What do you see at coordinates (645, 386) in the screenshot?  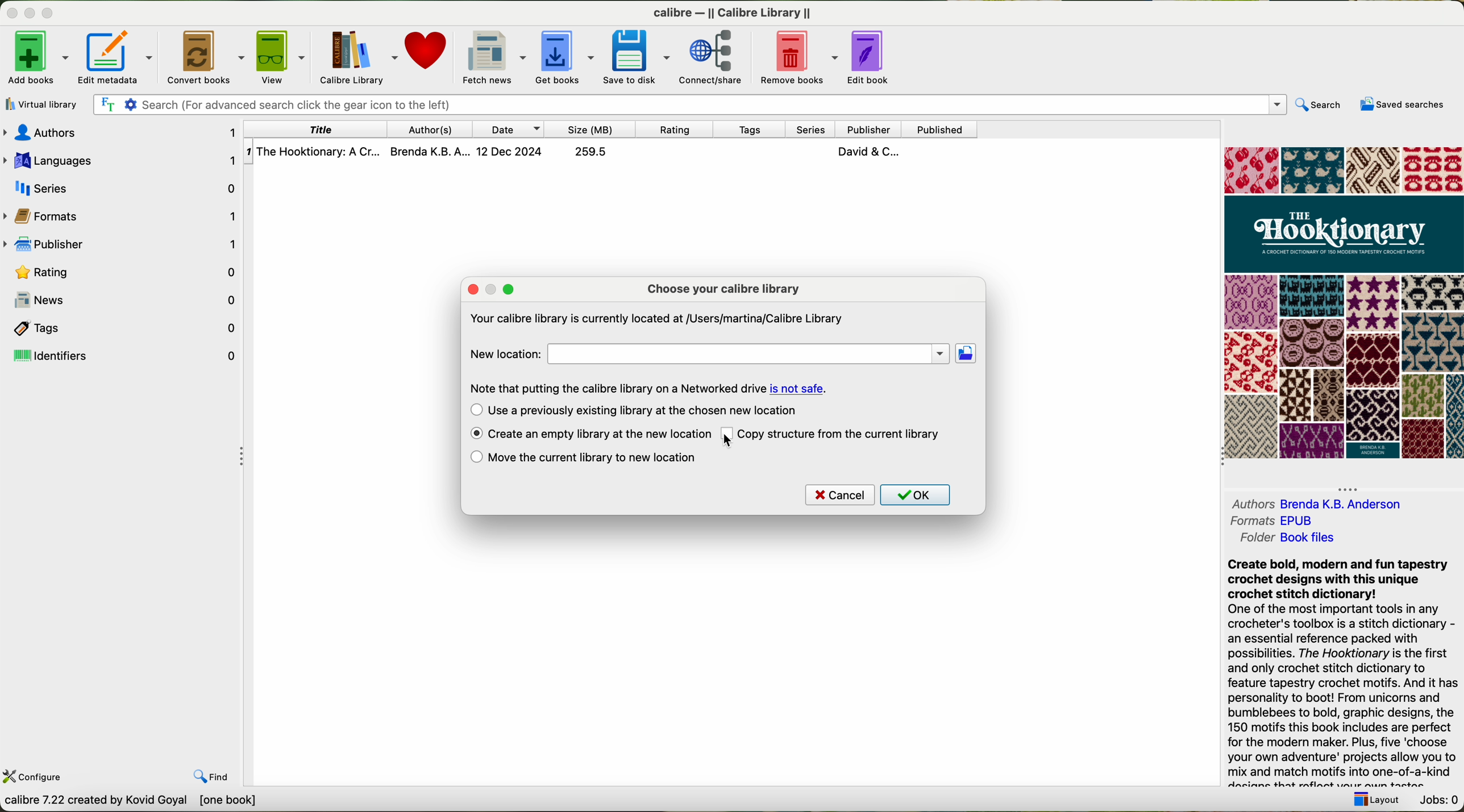 I see `Note that putting the calibre library on a Networked drive is not safe.` at bounding box center [645, 386].